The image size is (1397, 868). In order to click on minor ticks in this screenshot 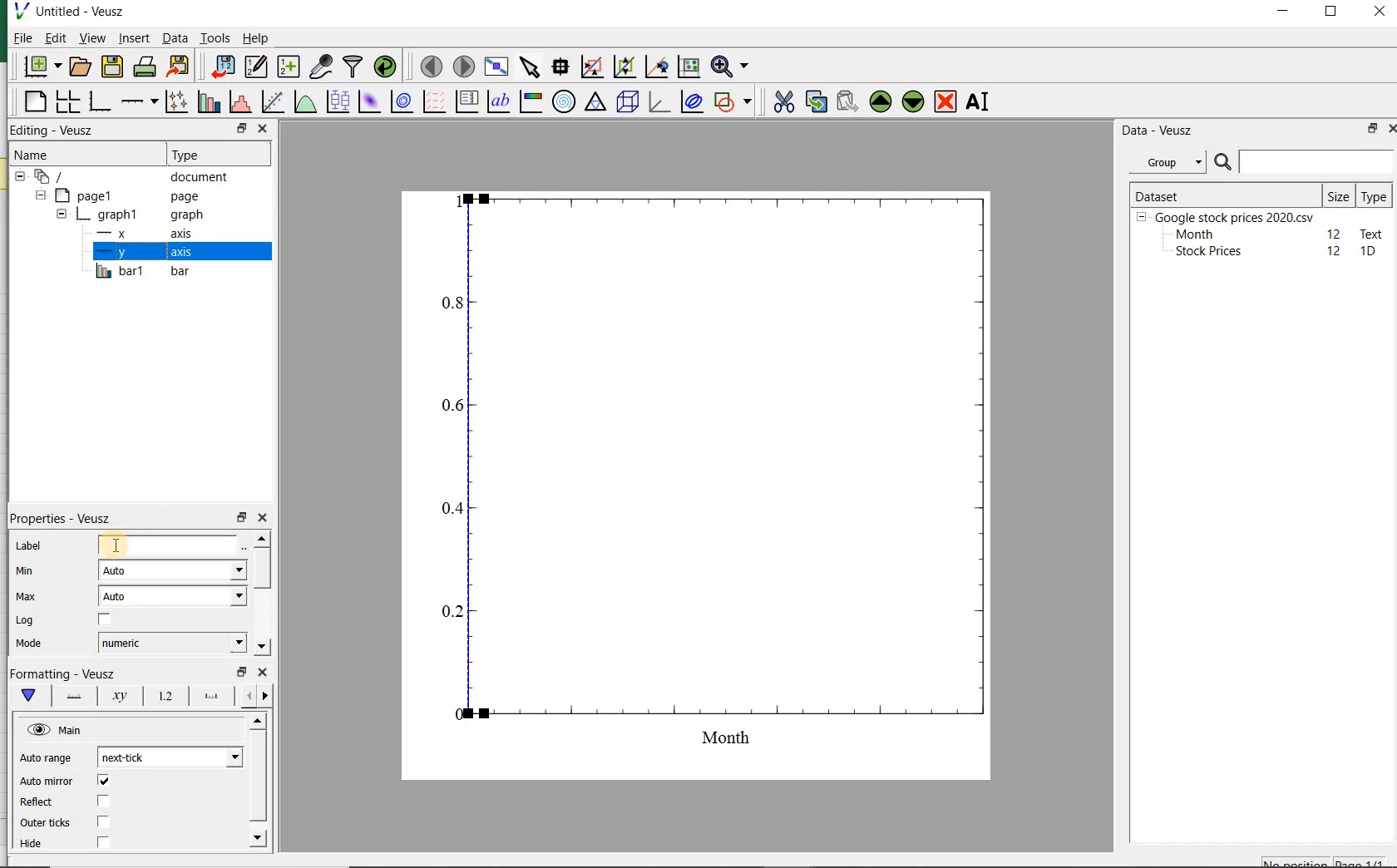, I will do `click(255, 697)`.